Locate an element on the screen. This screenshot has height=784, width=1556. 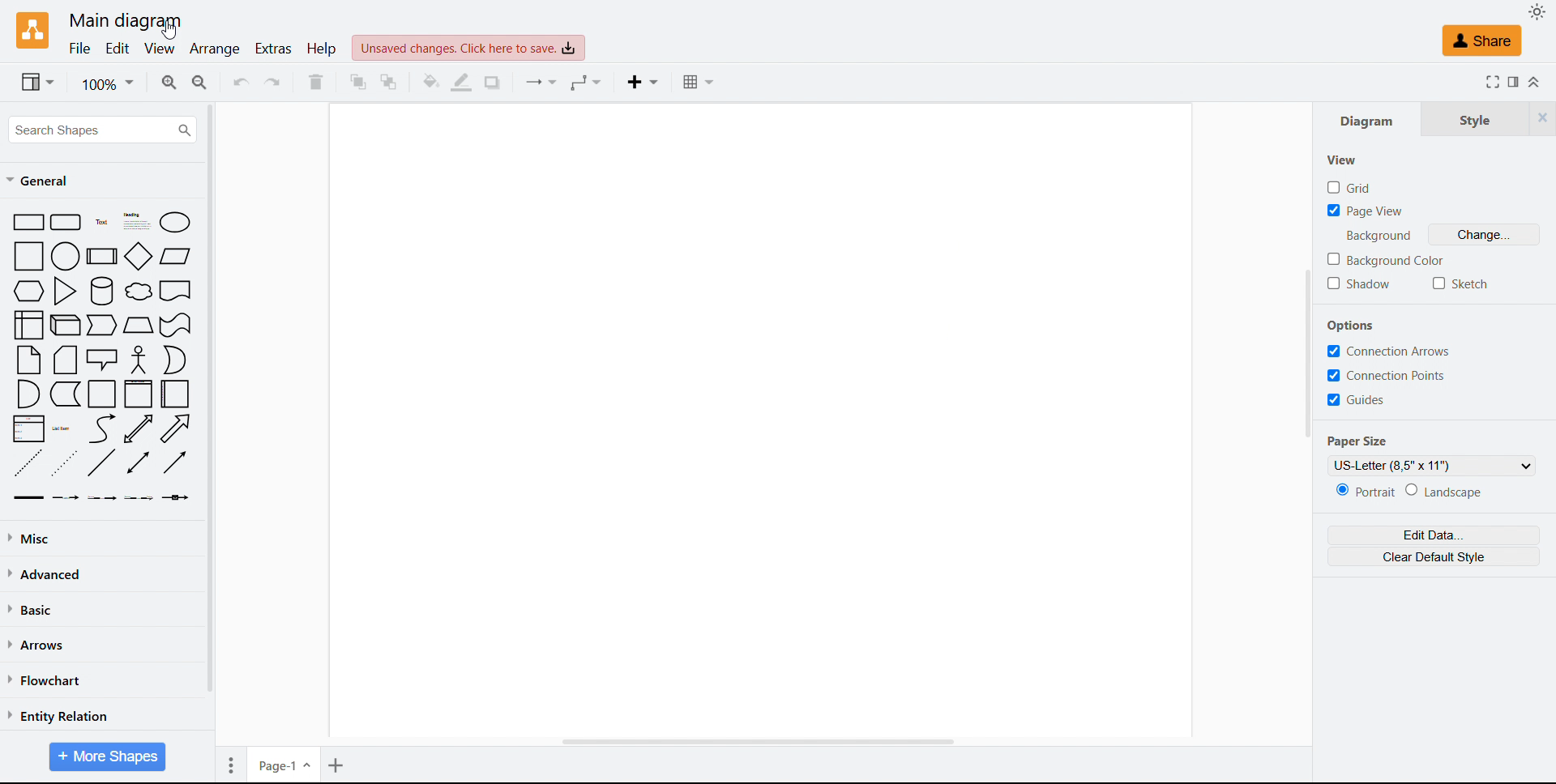
Undo  is located at coordinates (240, 83).